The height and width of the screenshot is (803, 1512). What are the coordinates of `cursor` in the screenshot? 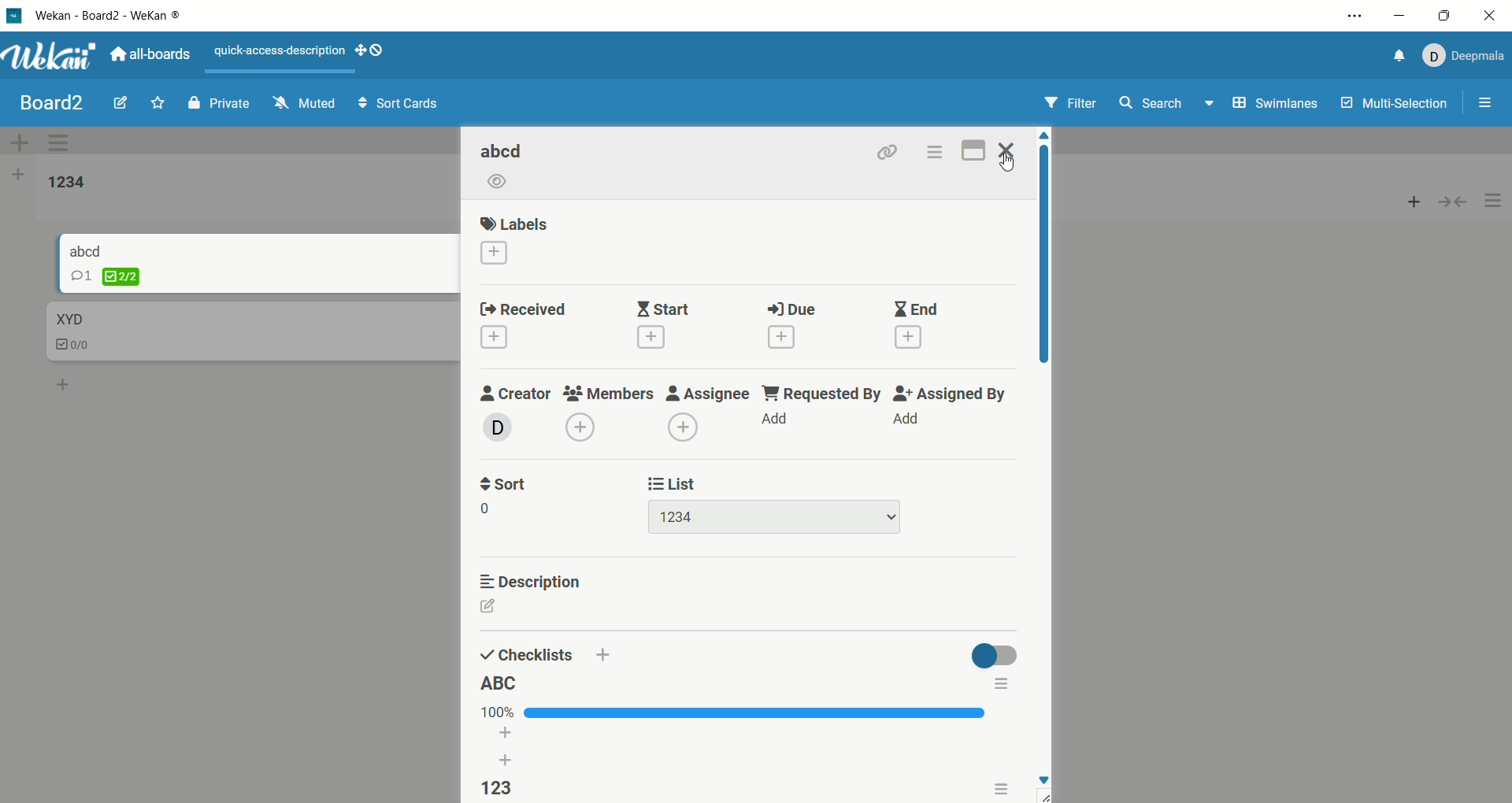 It's located at (1010, 173).